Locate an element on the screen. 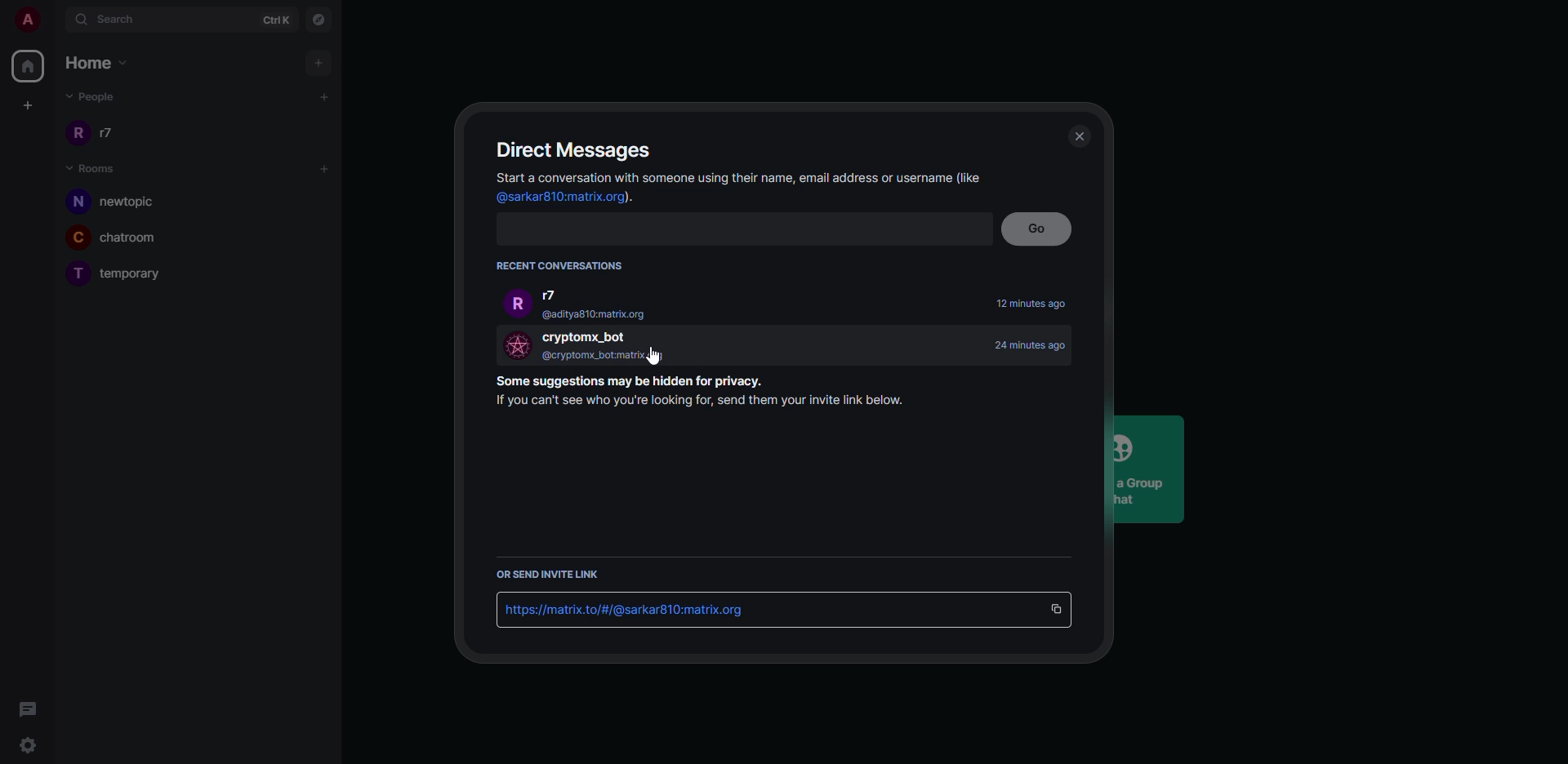  search is located at coordinates (114, 20).